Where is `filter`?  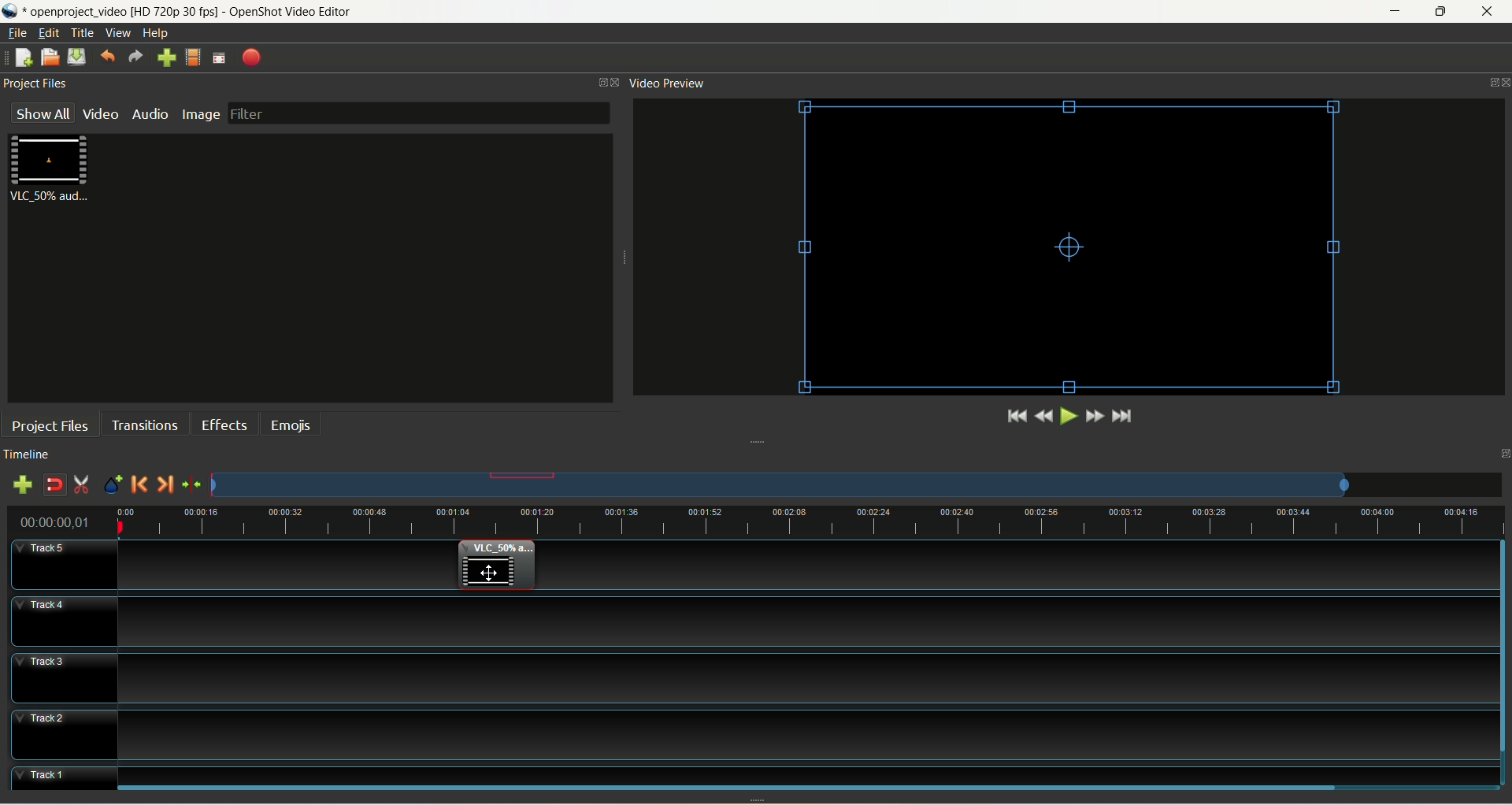 filter is located at coordinates (419, 114).